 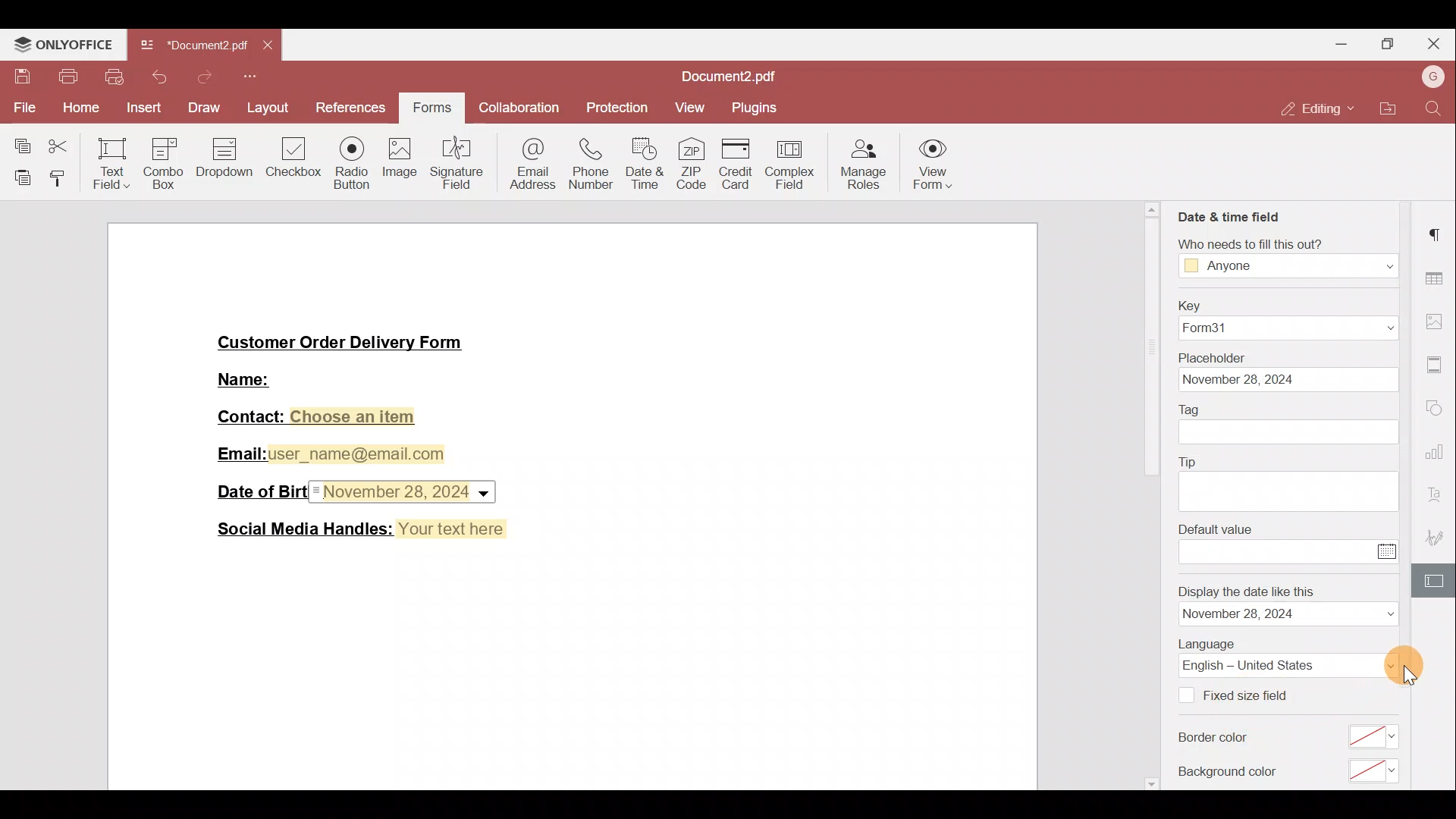 What do you see at coordinates (1436, 365) in the screenshot?
I see `More settings` at bounding box center [1436, 365].